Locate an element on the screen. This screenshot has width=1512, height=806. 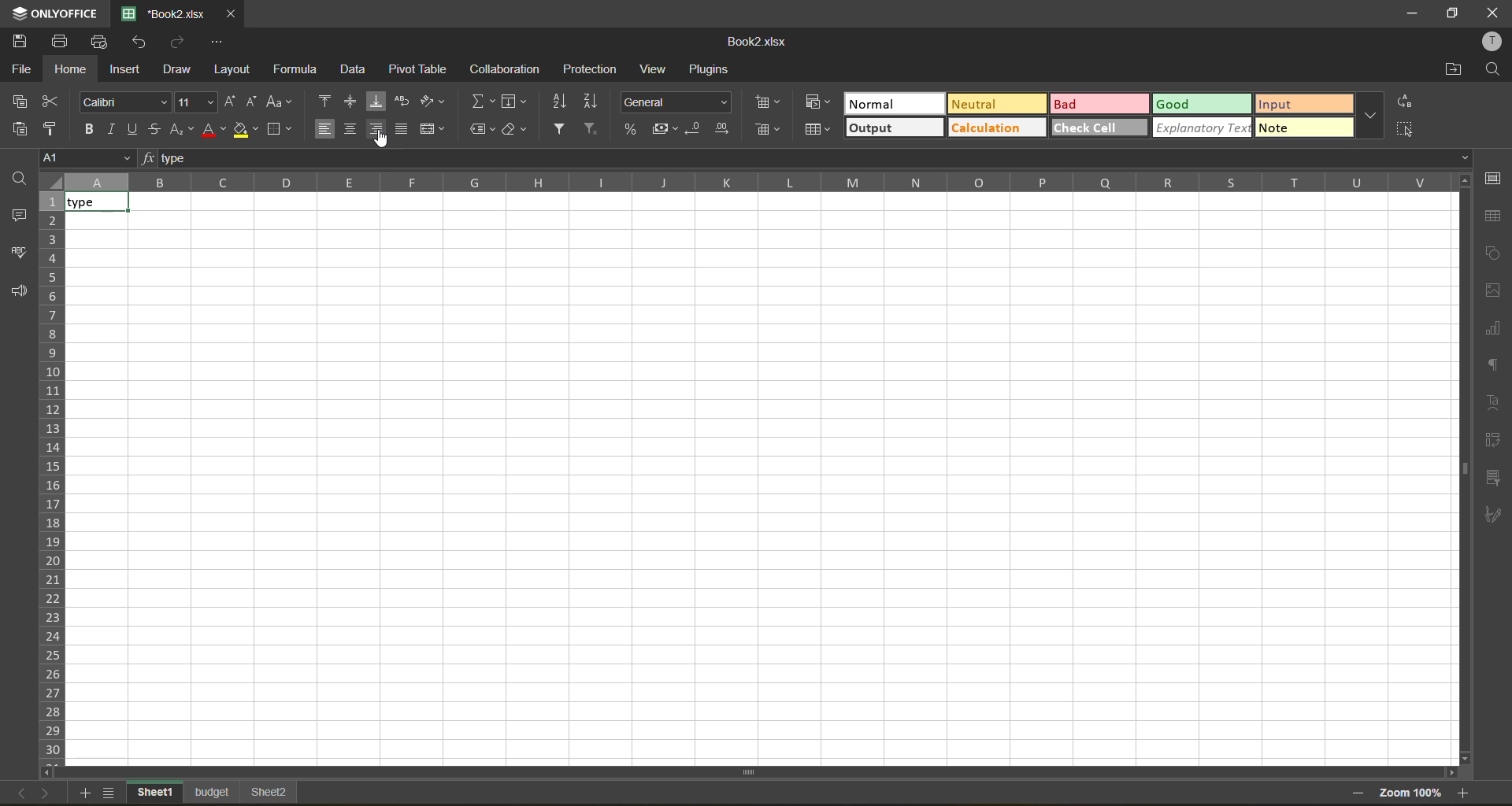
move right is located at coordinates (1449, 772).